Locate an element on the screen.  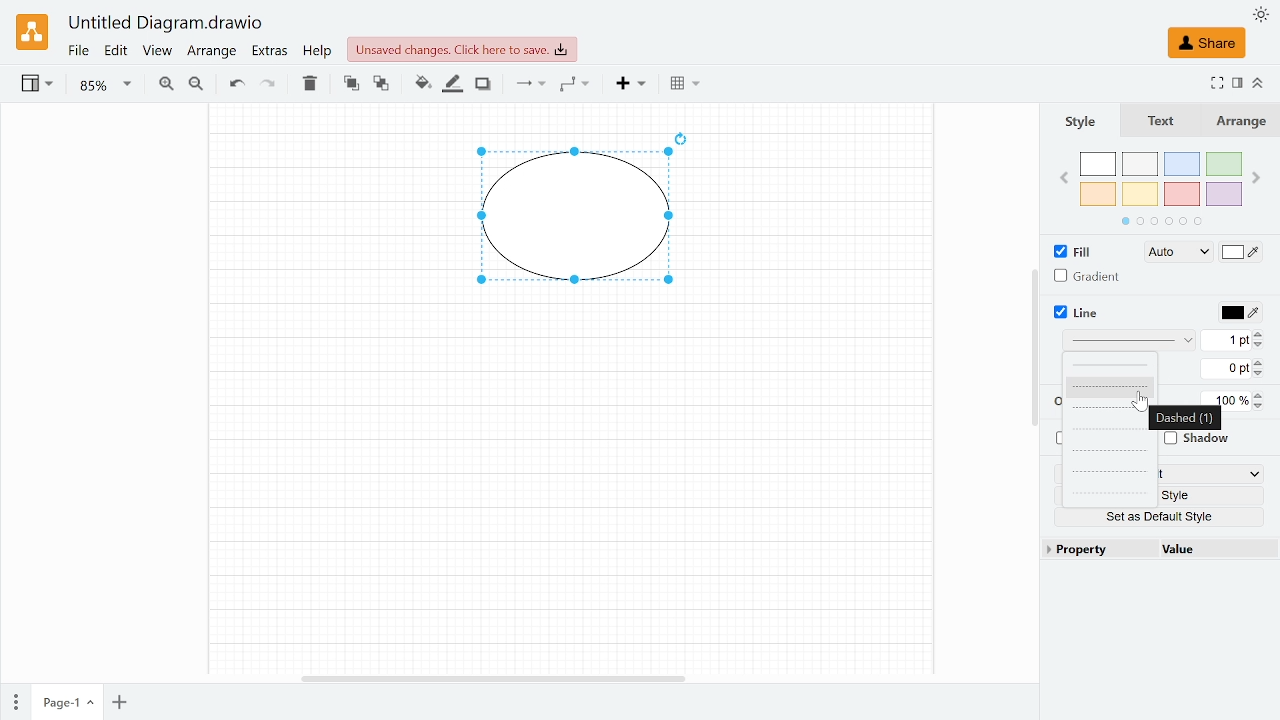
File is located at coordinates (78, 51).